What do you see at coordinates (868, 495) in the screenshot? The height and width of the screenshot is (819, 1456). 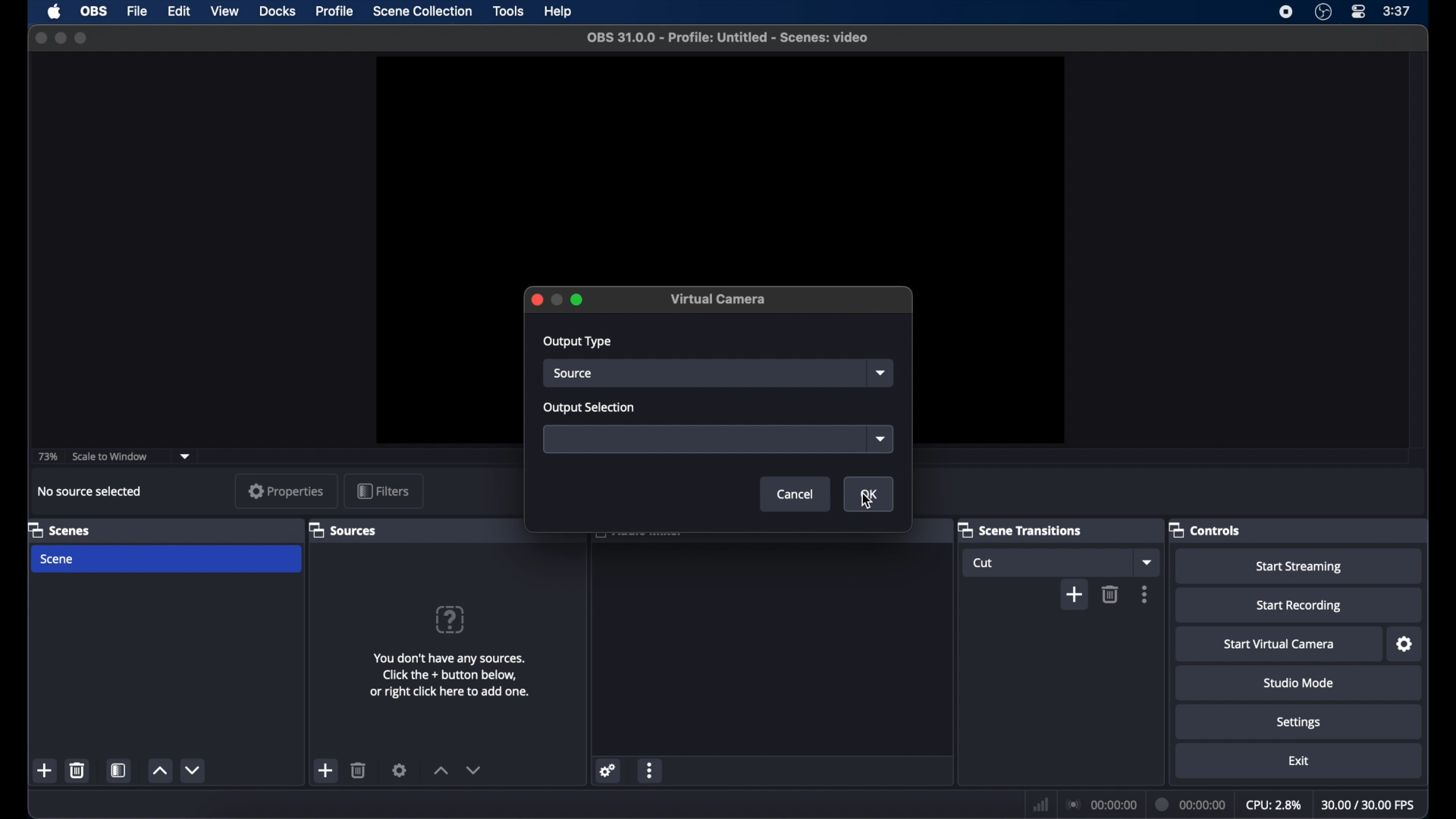 I see `OK` at bounding box center [868, 495].